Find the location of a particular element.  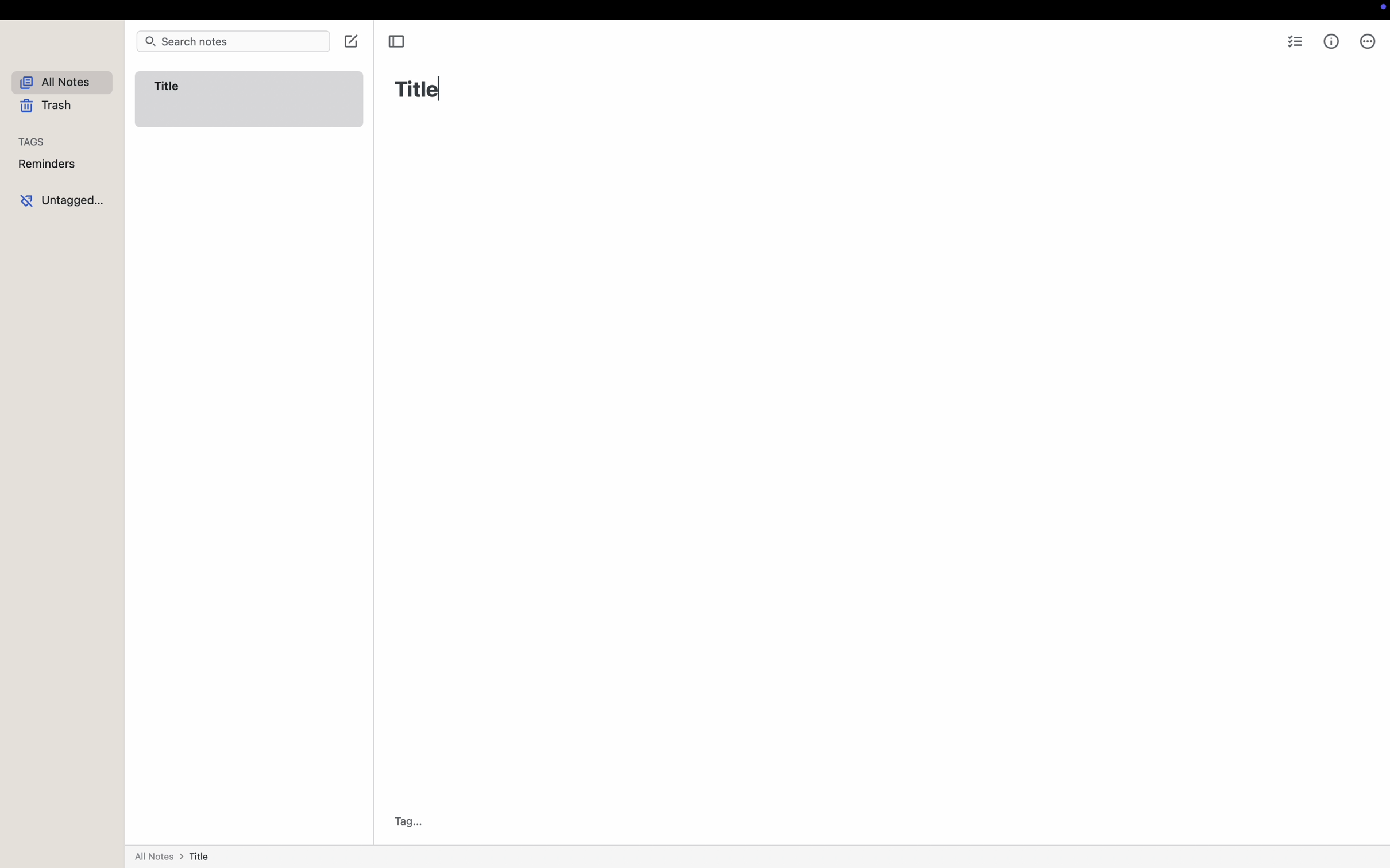

toggle sidebar is located at coordinates (396, 42).